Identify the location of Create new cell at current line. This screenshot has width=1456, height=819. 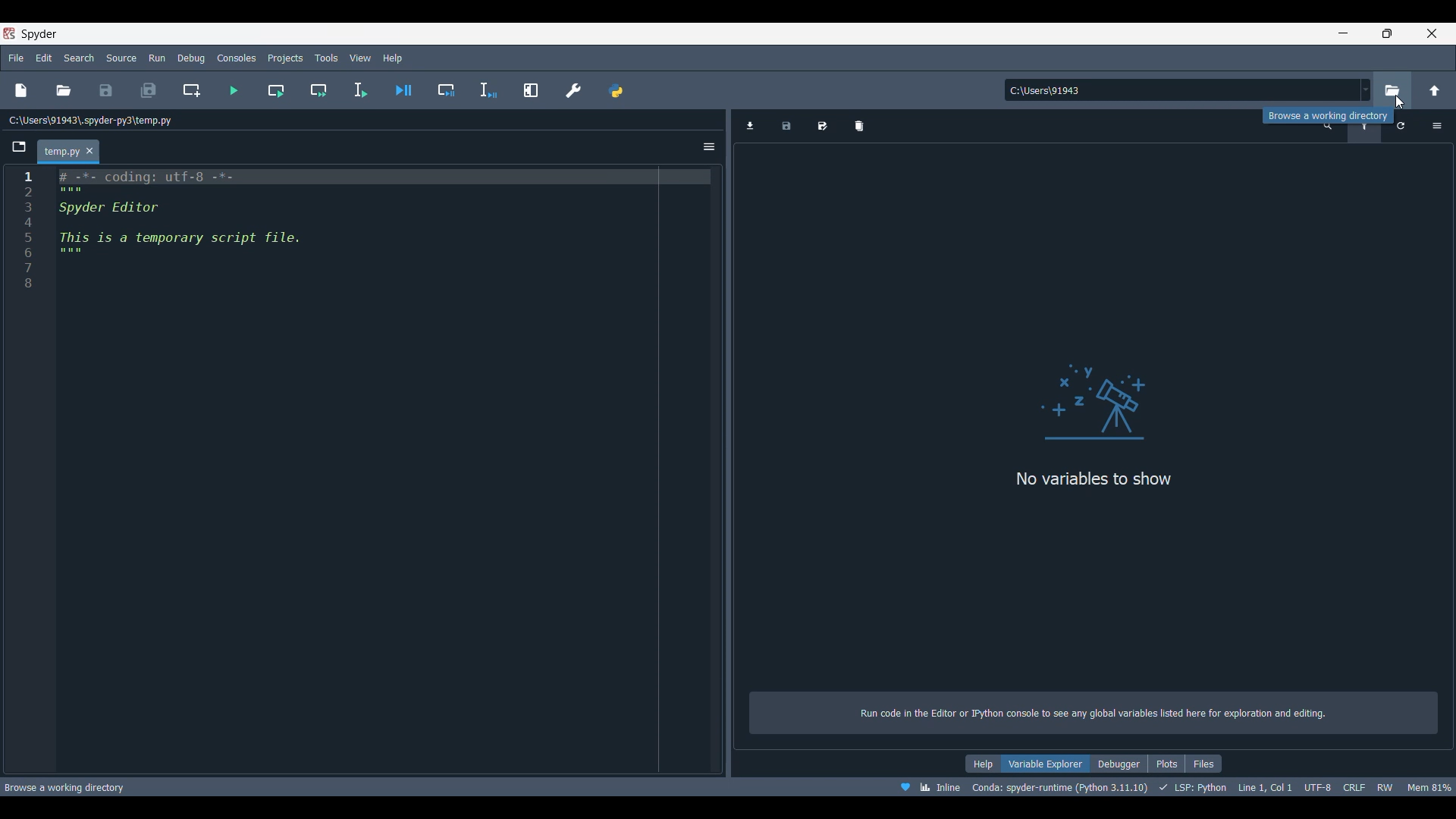
(191, 90).